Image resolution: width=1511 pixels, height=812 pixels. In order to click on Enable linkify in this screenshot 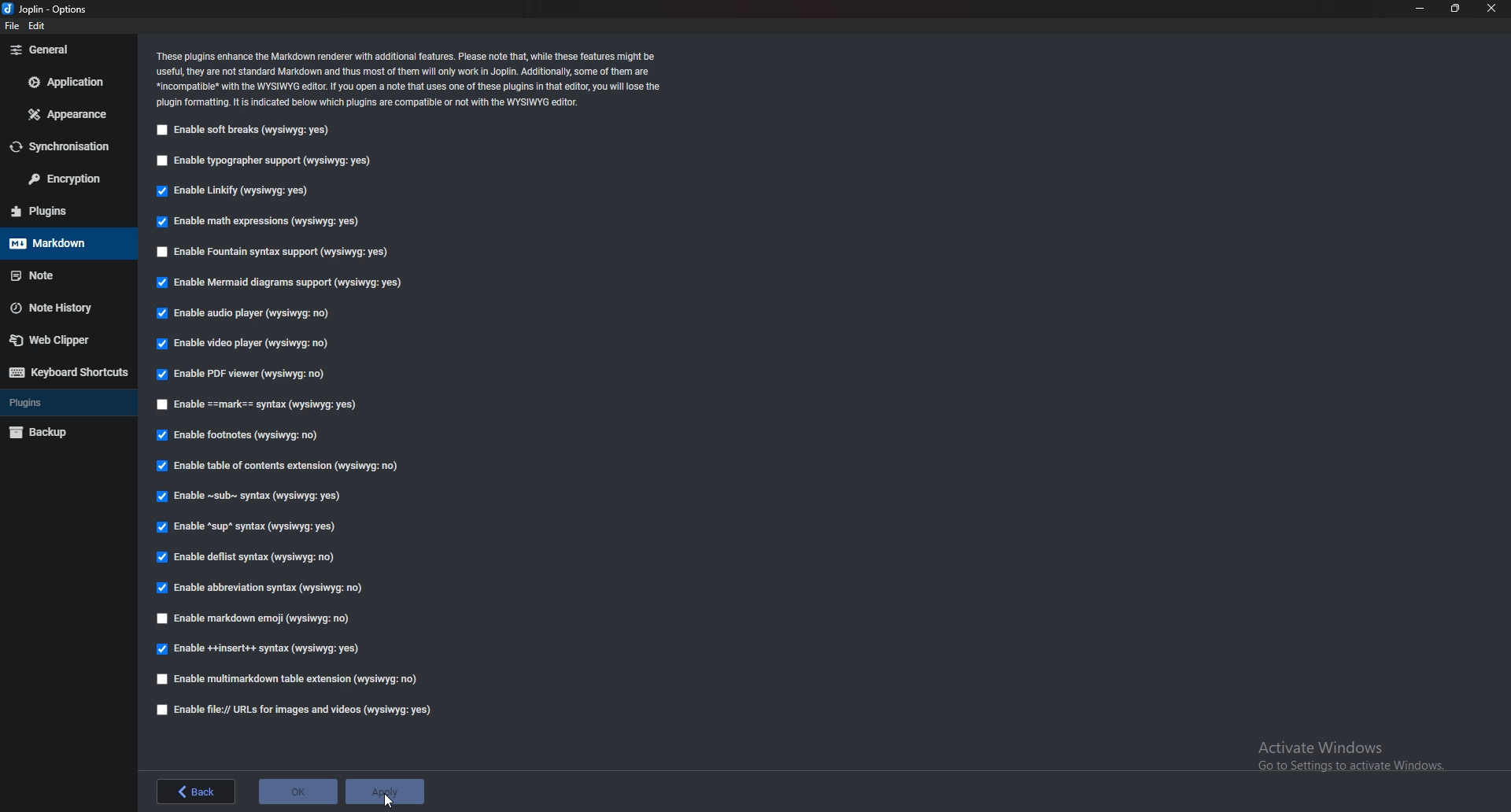, I will do `click(236, 190)`.